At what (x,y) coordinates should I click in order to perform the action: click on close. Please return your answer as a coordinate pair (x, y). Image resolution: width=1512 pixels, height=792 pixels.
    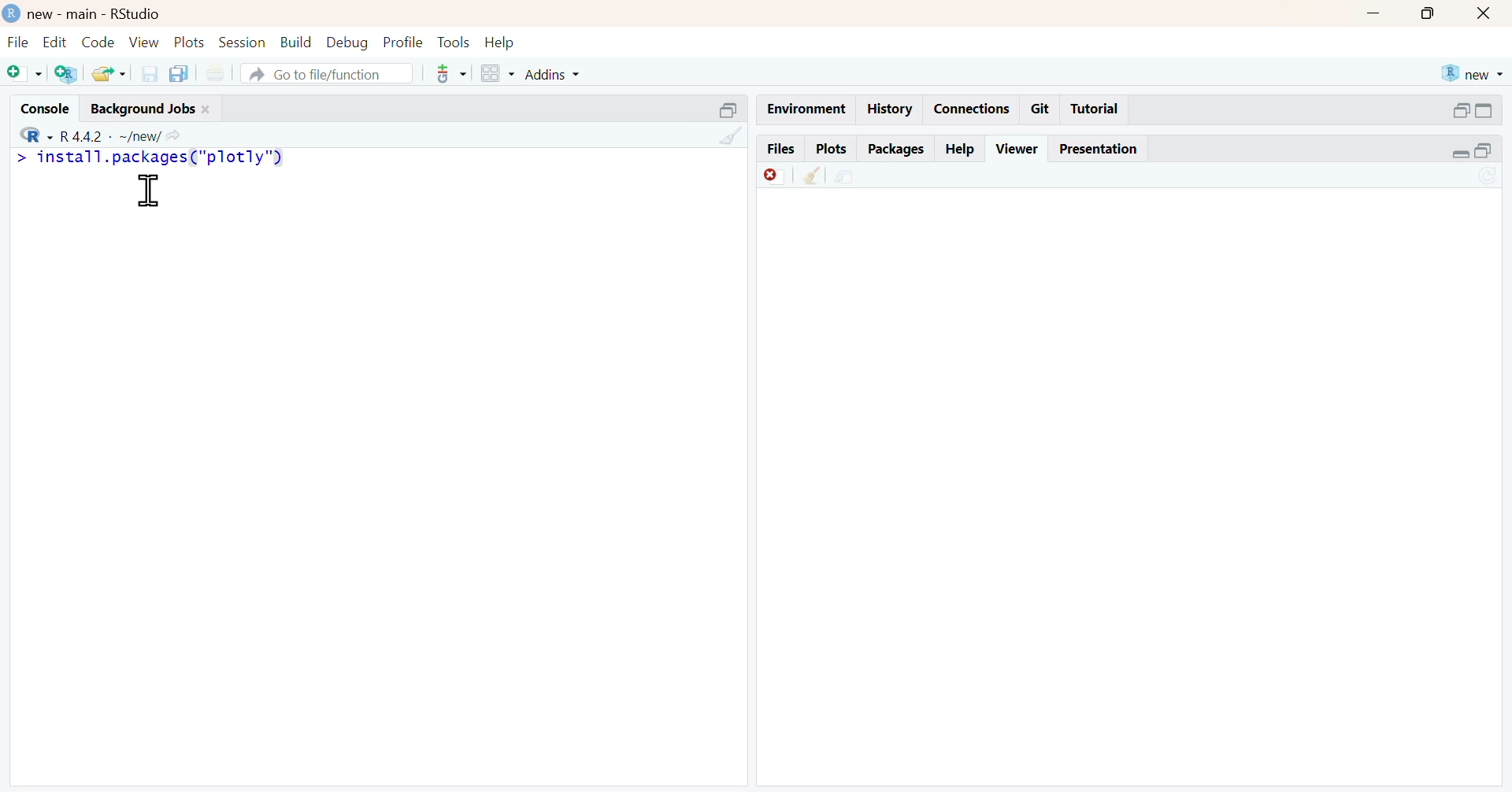
    Looking at the image, I should click on (1488, 13).